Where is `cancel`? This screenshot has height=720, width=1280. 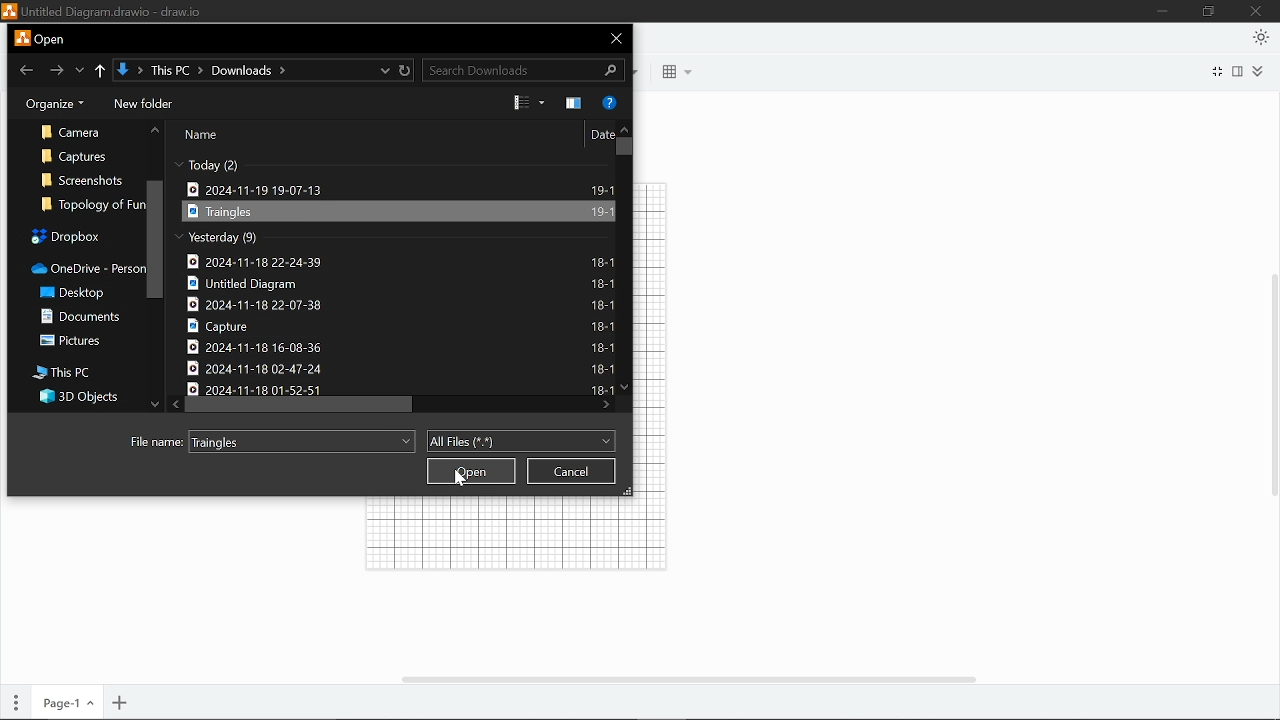 cancel is located at coordinates (571, 470).